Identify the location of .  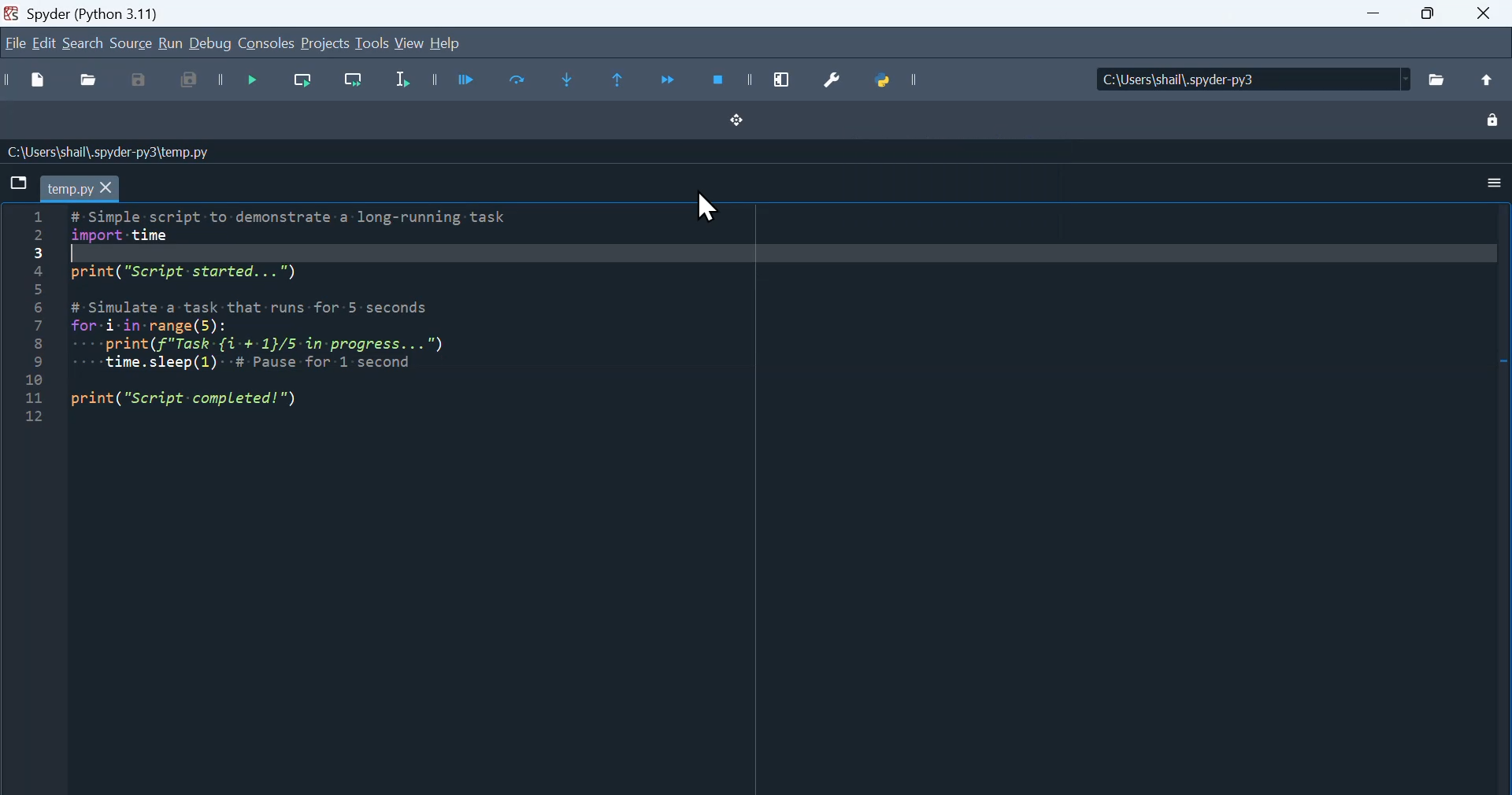
(1485, 17).